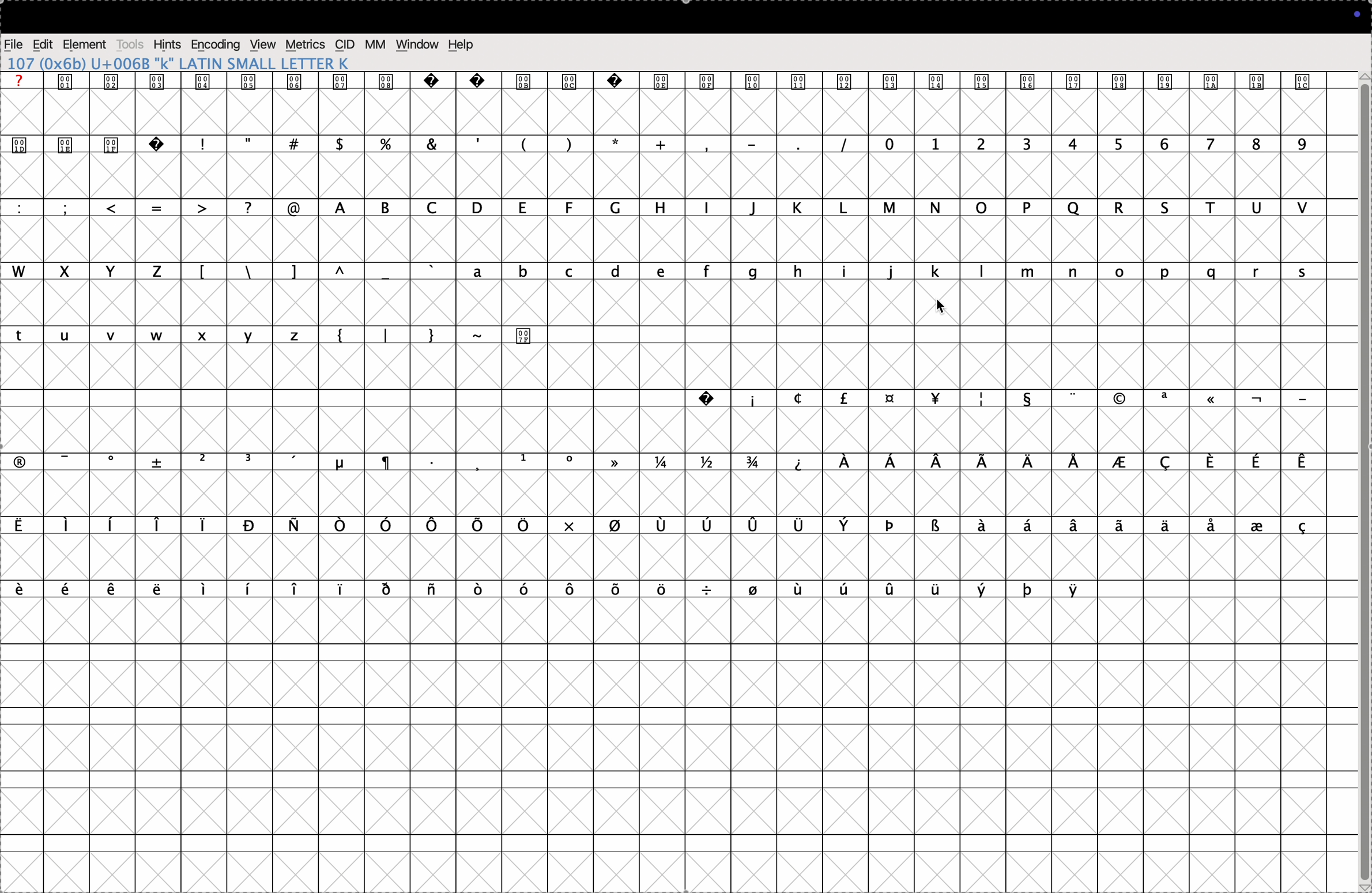 This screenshot has width=1372, height=893. I want to click on ?, so click(24, 78).